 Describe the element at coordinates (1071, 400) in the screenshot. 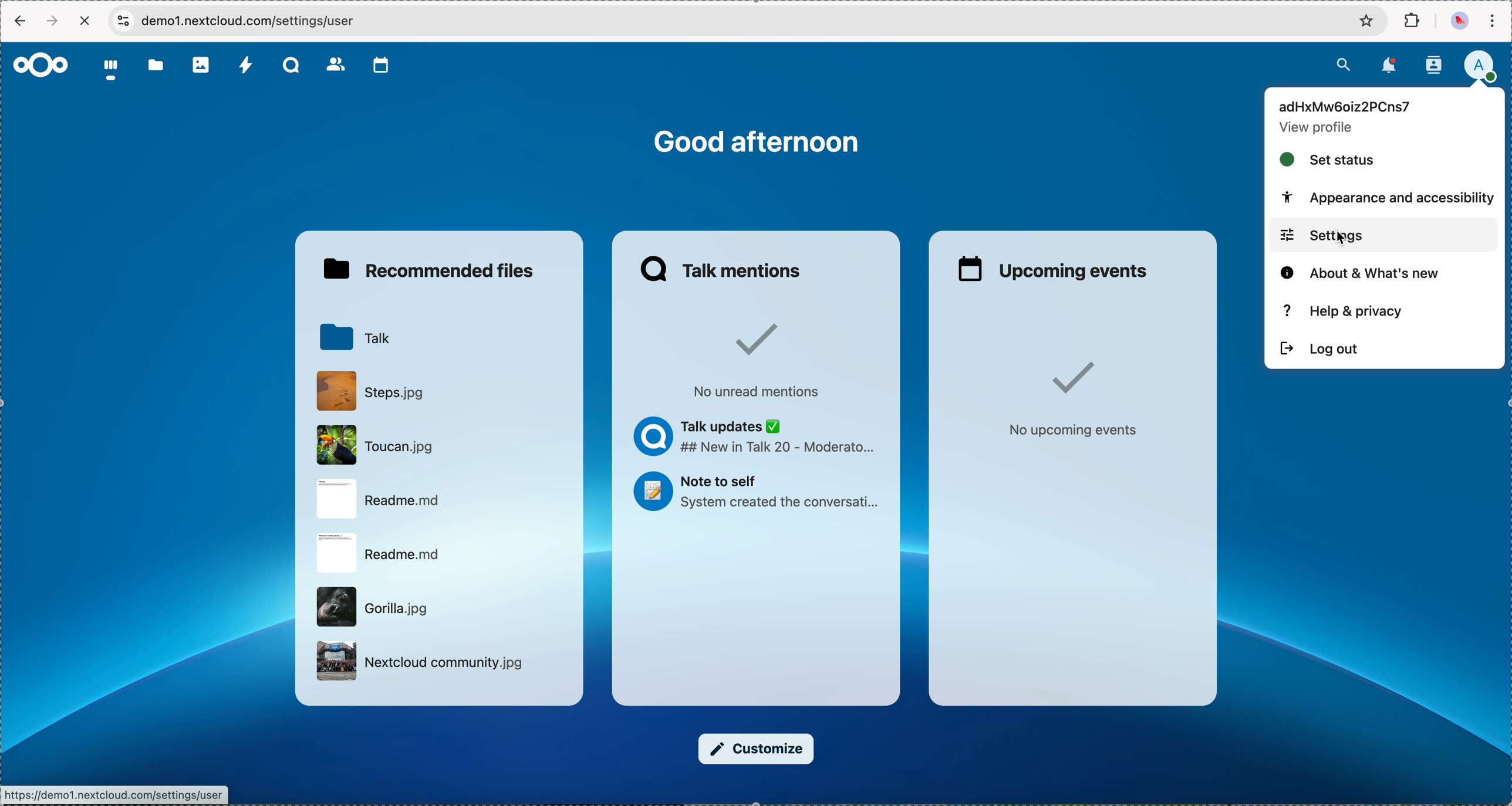

I see `no upcoming events` at that location.